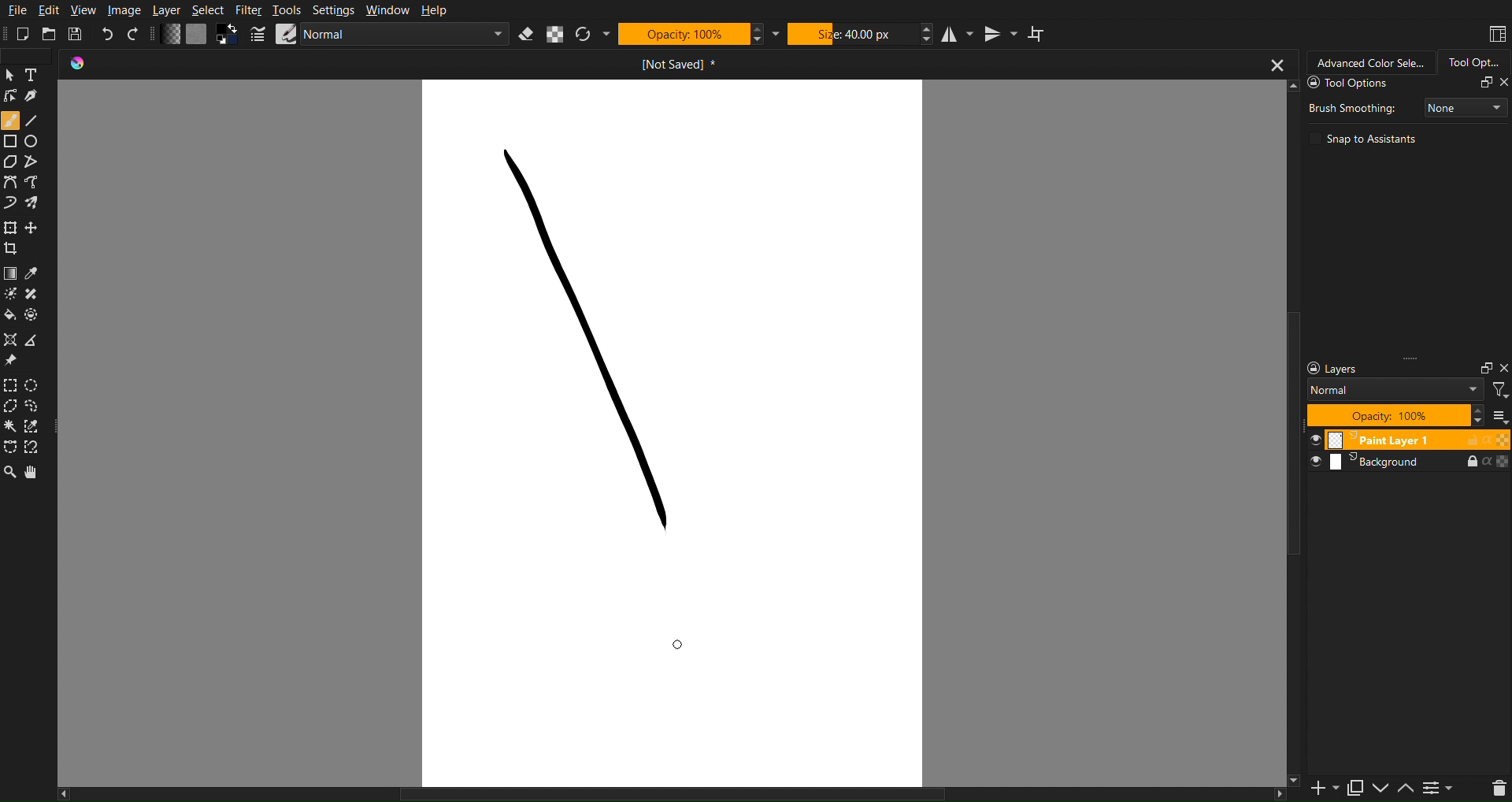 The width and height of the screenshot is (1512, 802). I want to click on Crop, so click(13, 249).